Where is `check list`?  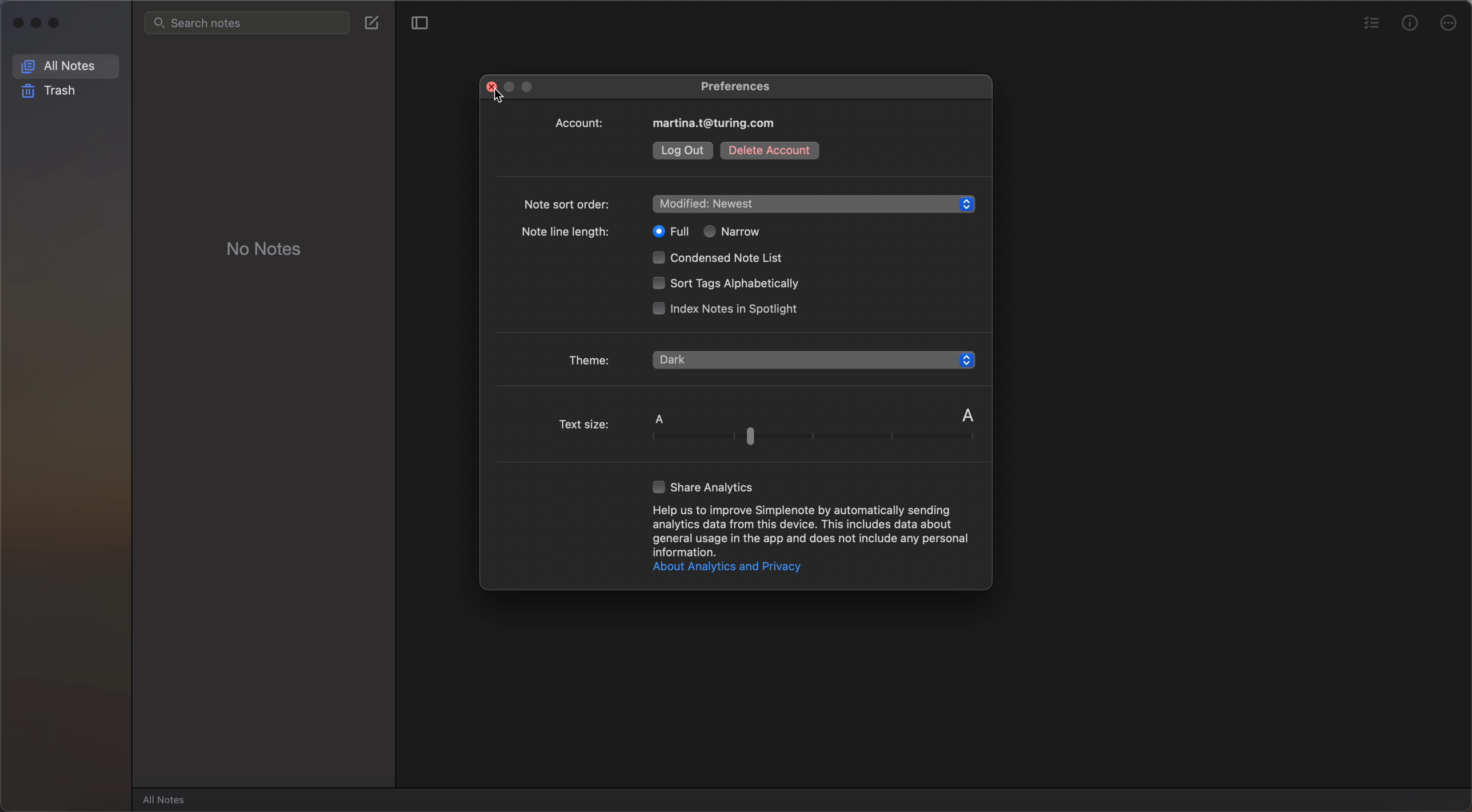 check list is located at coordinates (1370, 24).